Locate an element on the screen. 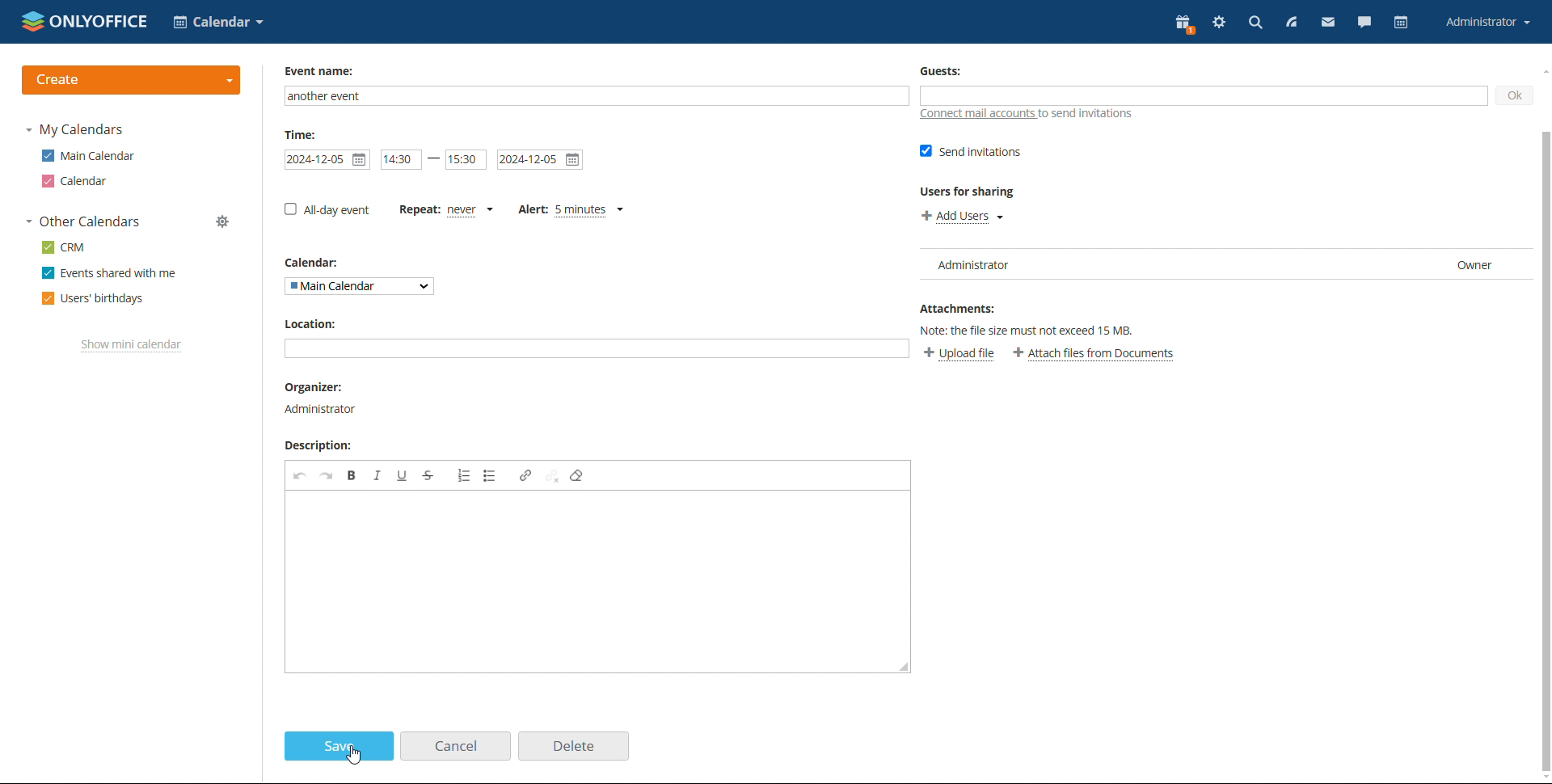 This screenshot has height=784, width=1552. edit description is located at coordinates (597, 581).